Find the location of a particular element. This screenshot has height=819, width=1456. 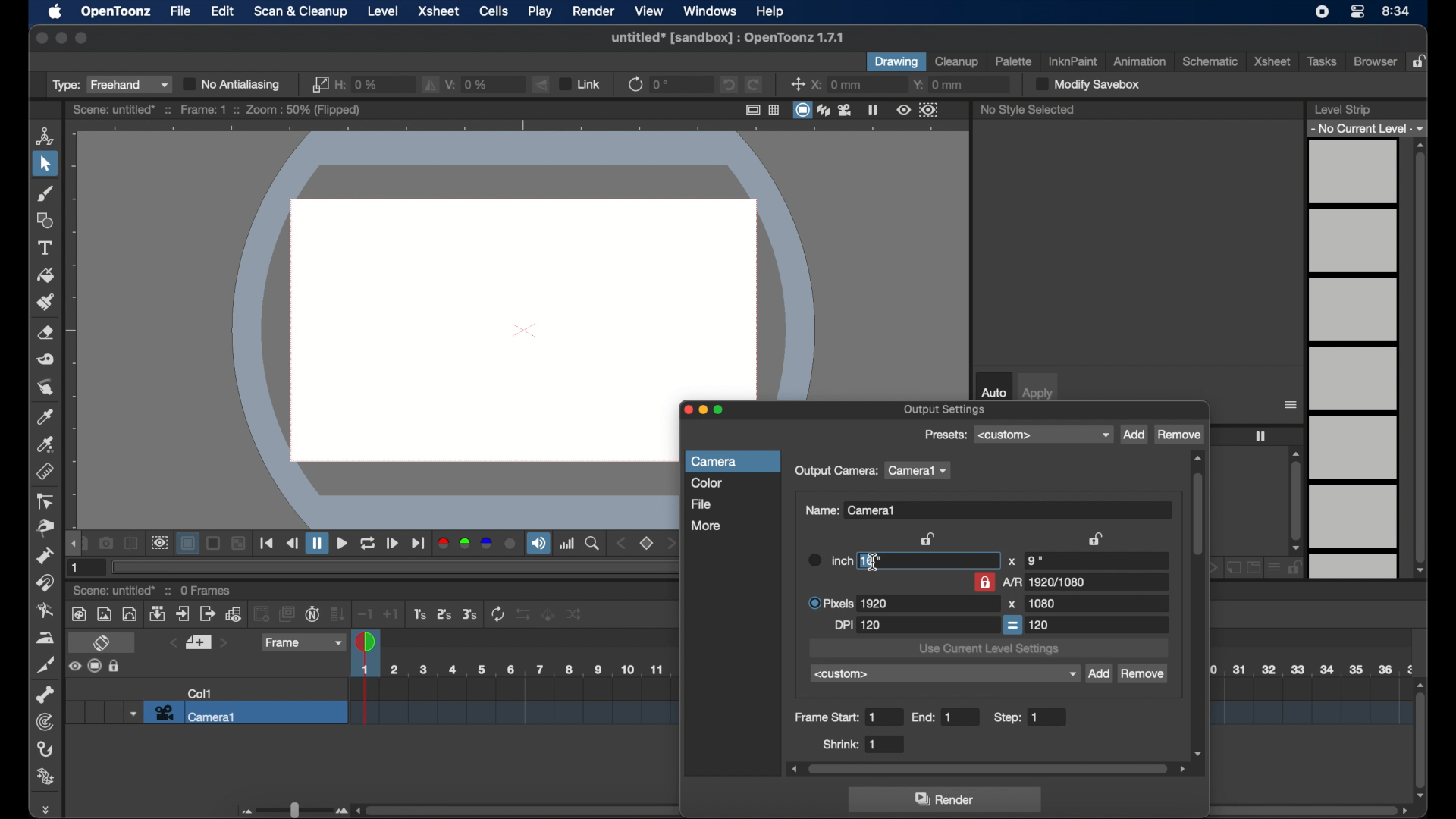

9 is located at coordinates (1034, 560).